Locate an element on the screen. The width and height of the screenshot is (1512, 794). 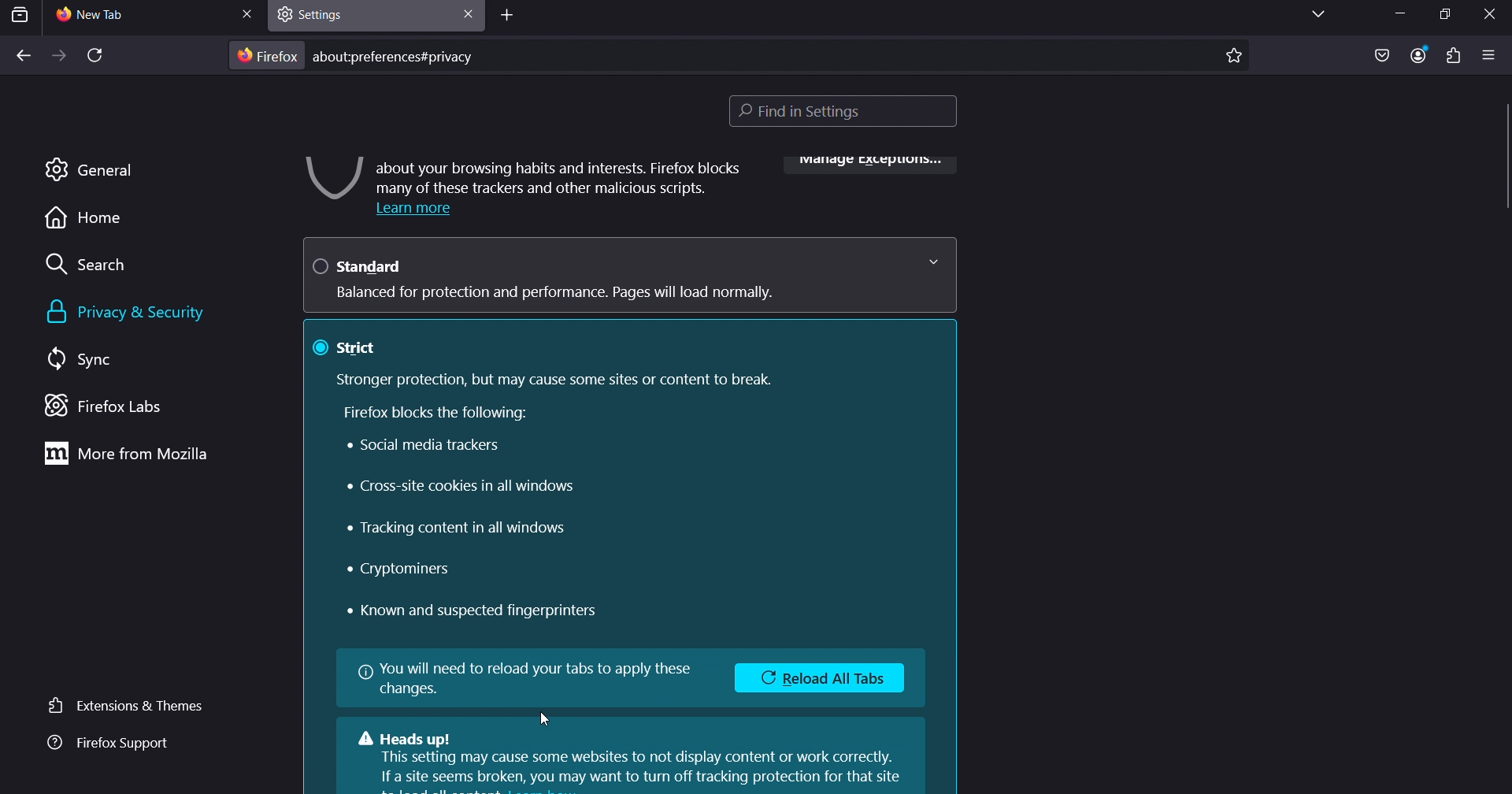
find in settings is located at coordinates (849, 113).